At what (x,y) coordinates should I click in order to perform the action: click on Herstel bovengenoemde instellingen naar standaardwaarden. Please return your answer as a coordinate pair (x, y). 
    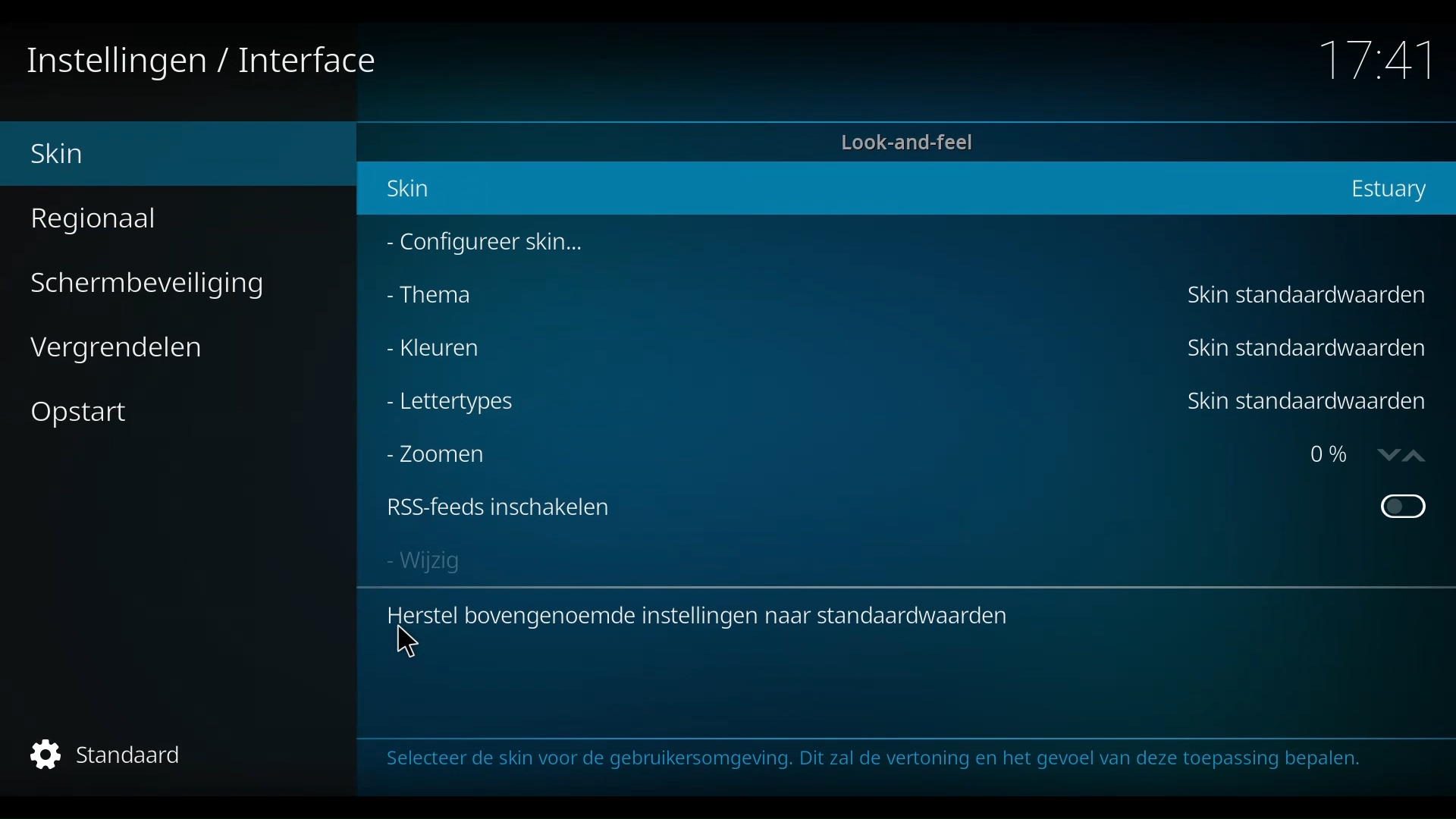
    Looking at the image, I should click on (698, 614).